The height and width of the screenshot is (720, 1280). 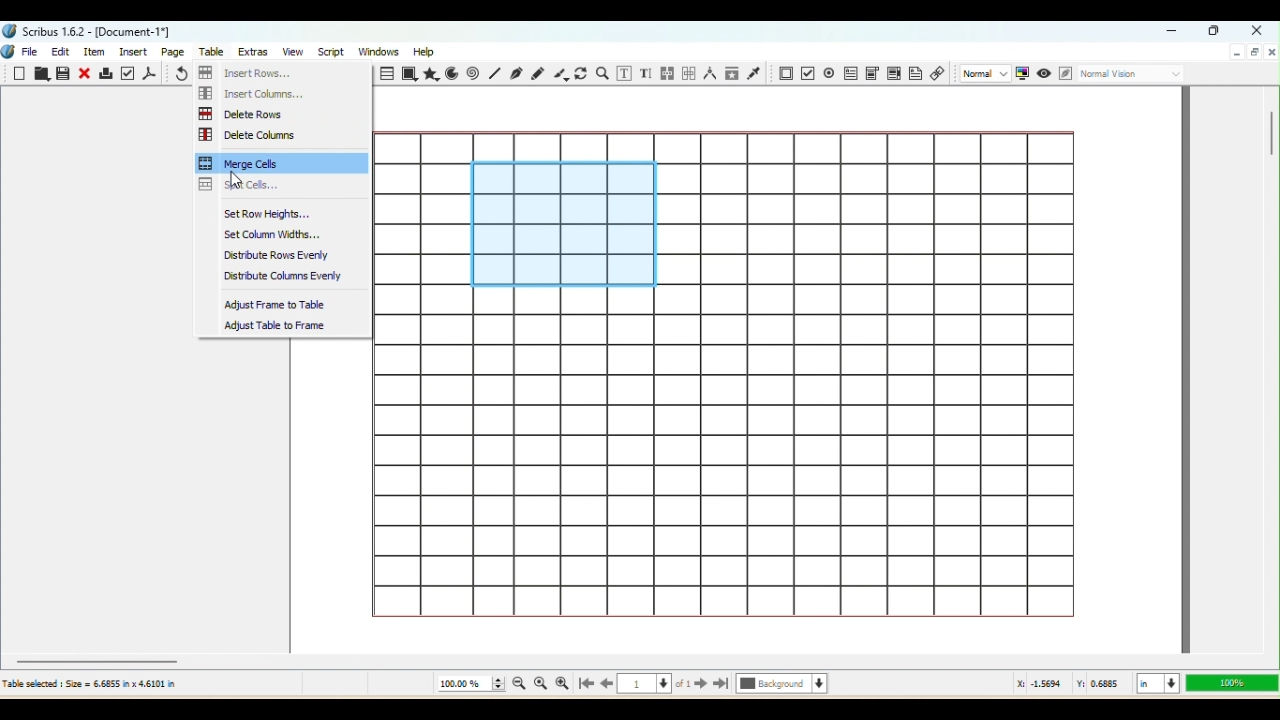 What do you see at coordinates (277, 255) in the screenshot?
I see `Distribute Rows Evenly` at bounding box center [277, 255].